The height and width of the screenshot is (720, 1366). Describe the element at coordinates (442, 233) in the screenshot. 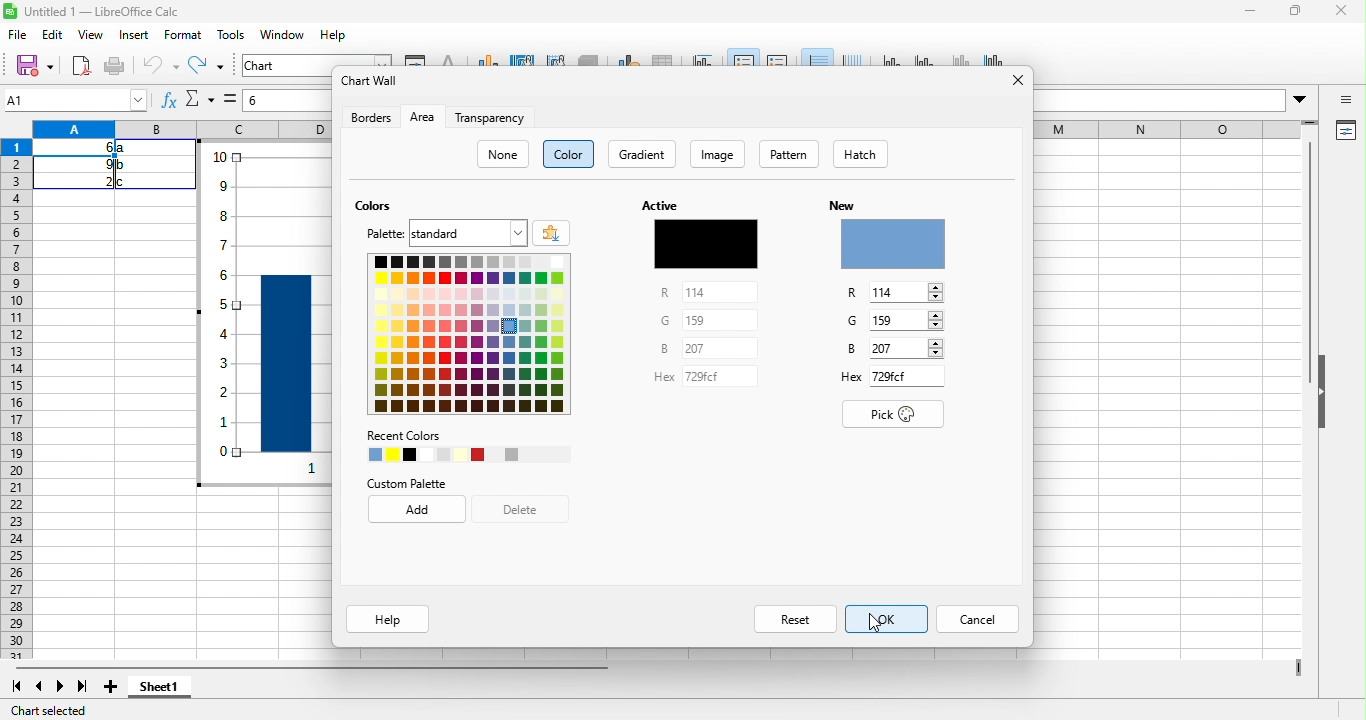

I see `palette` at that location.